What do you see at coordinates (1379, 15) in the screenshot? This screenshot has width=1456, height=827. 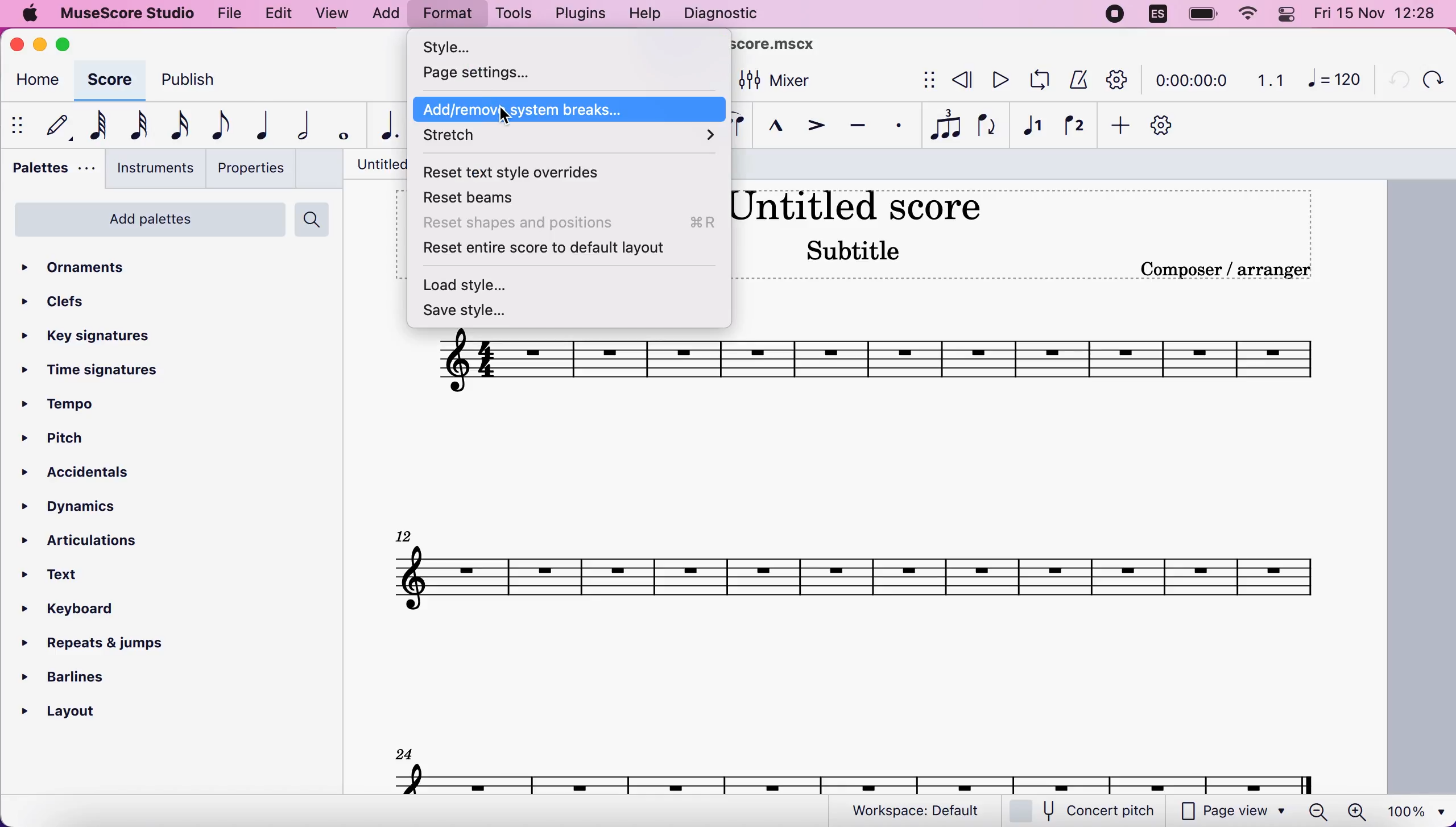 I see `time and date` at bounding box center [1379, 15].